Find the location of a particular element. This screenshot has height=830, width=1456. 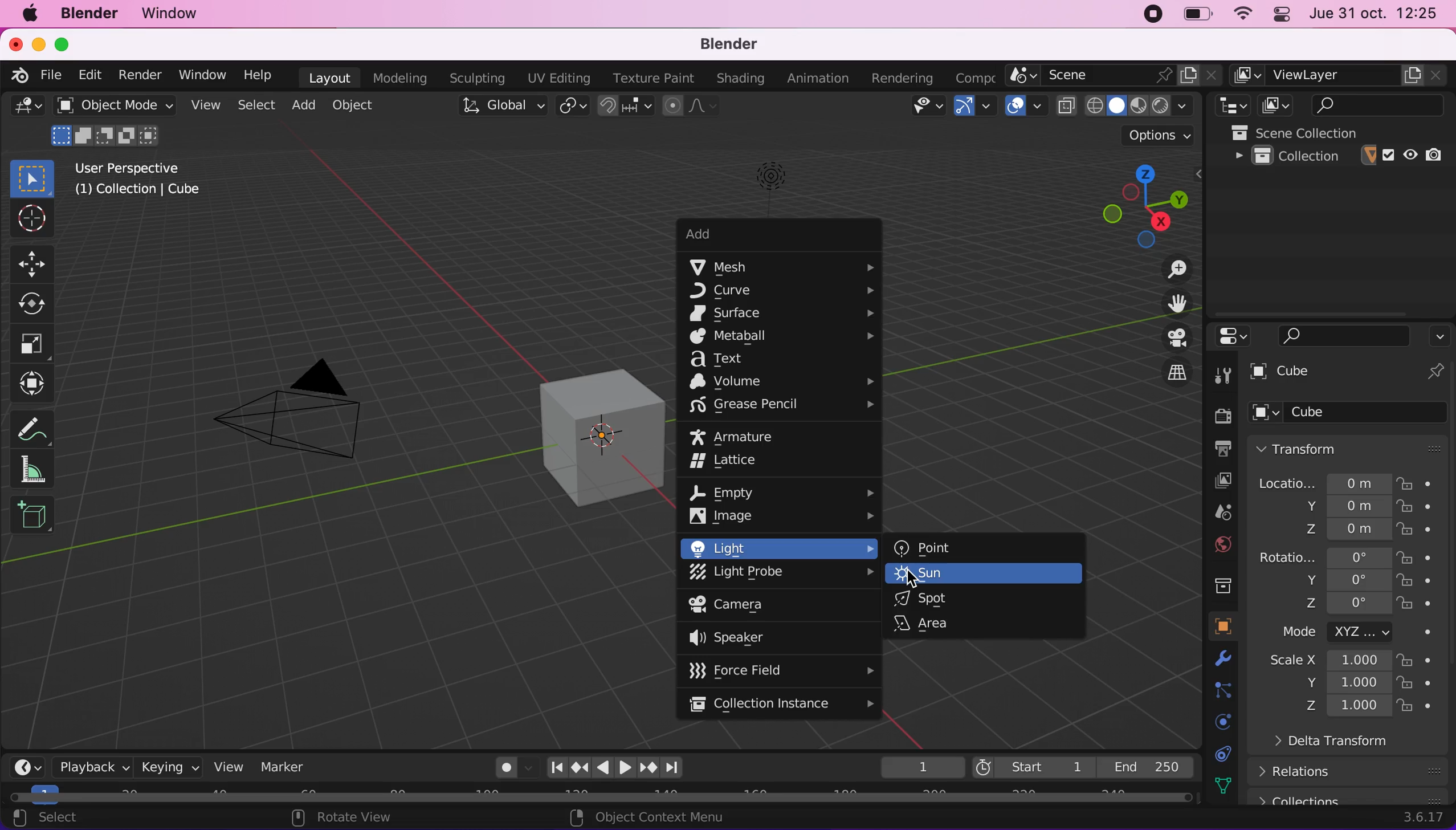

file is located at coordinates (55, 75).